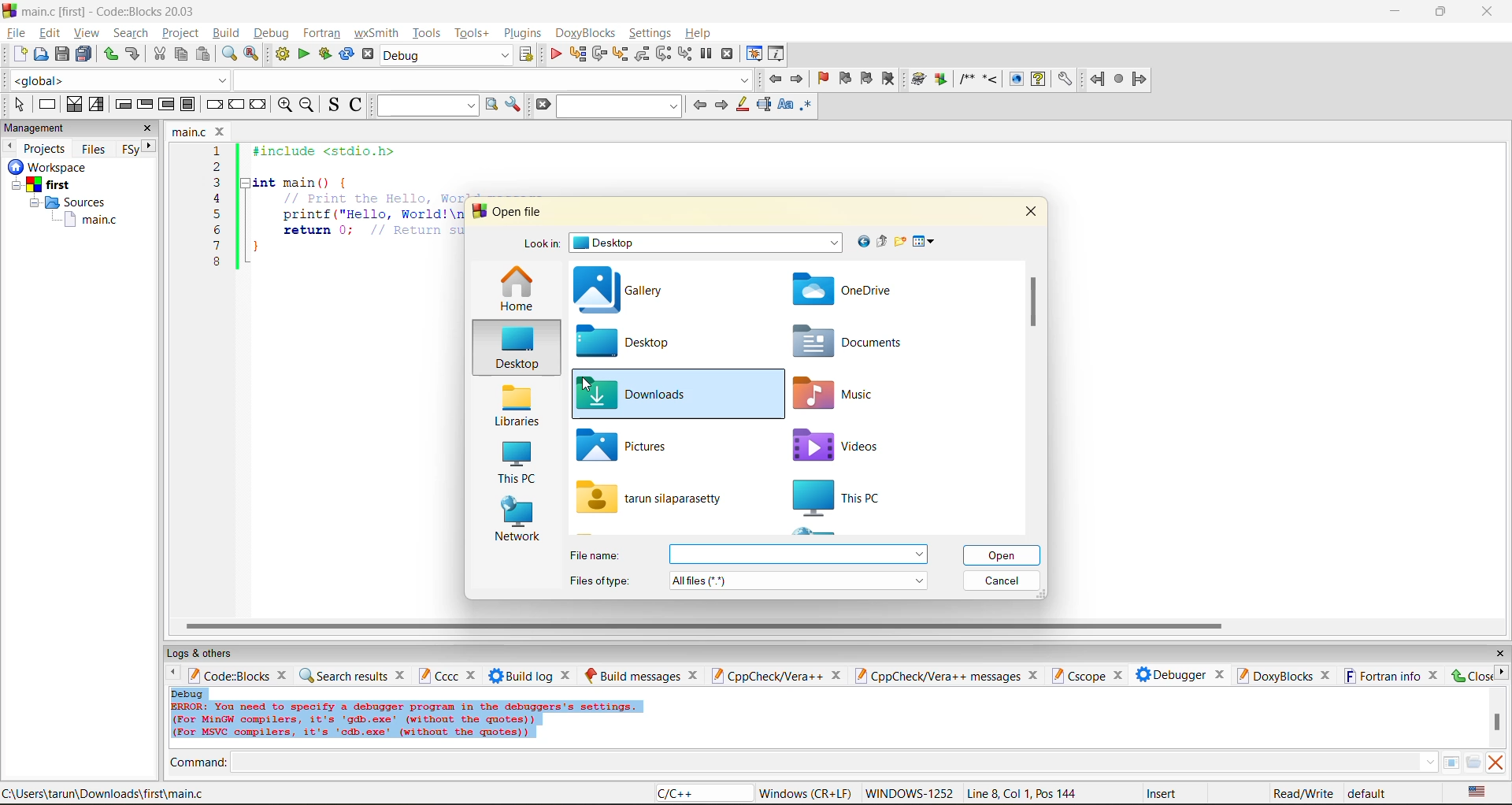 The width and height of the screenshot is (1512, 805). I want to click on redo, so click(110, 54).